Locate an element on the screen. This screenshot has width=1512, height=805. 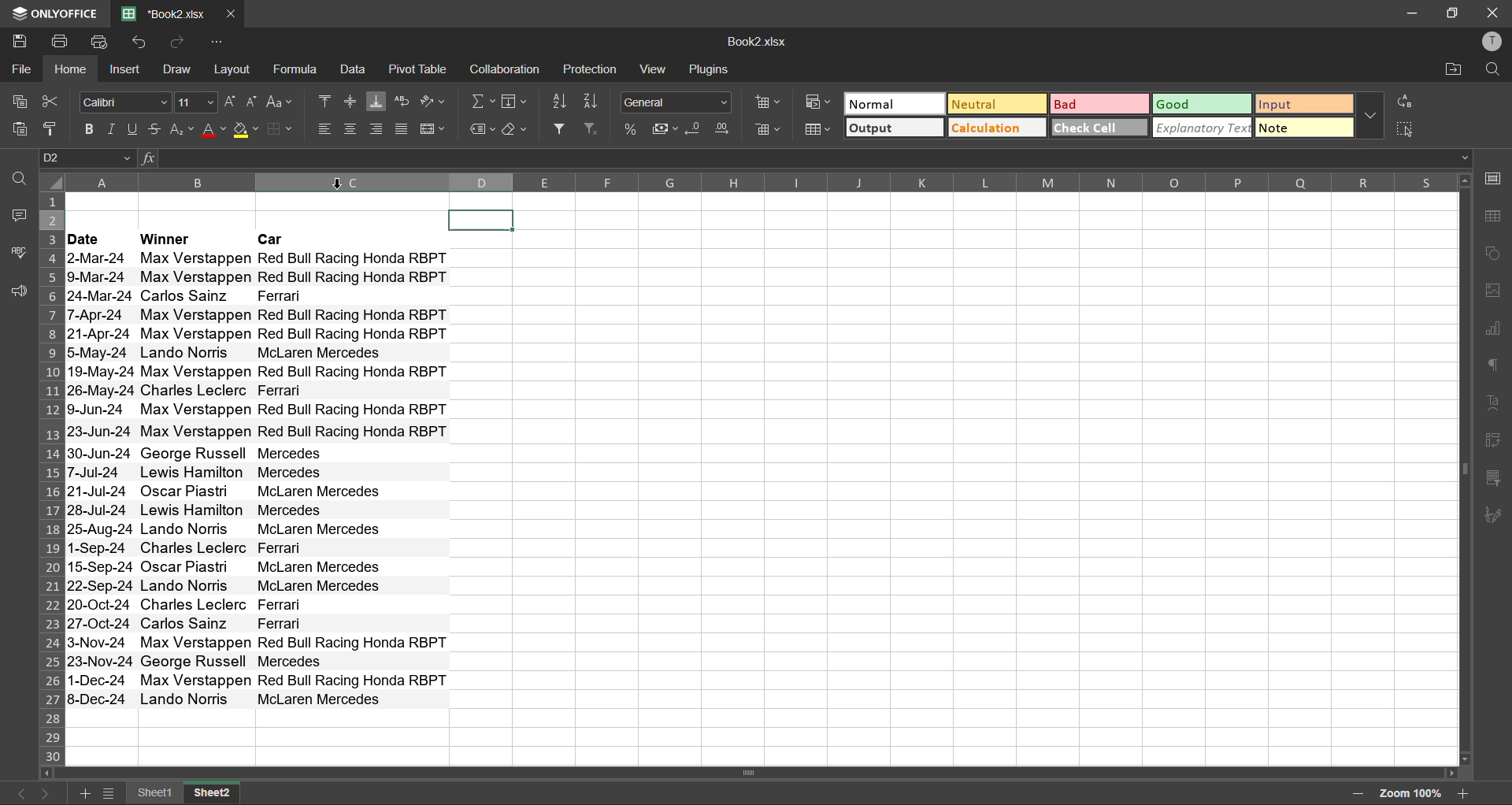
neutral is located at coordinates (992, 103).